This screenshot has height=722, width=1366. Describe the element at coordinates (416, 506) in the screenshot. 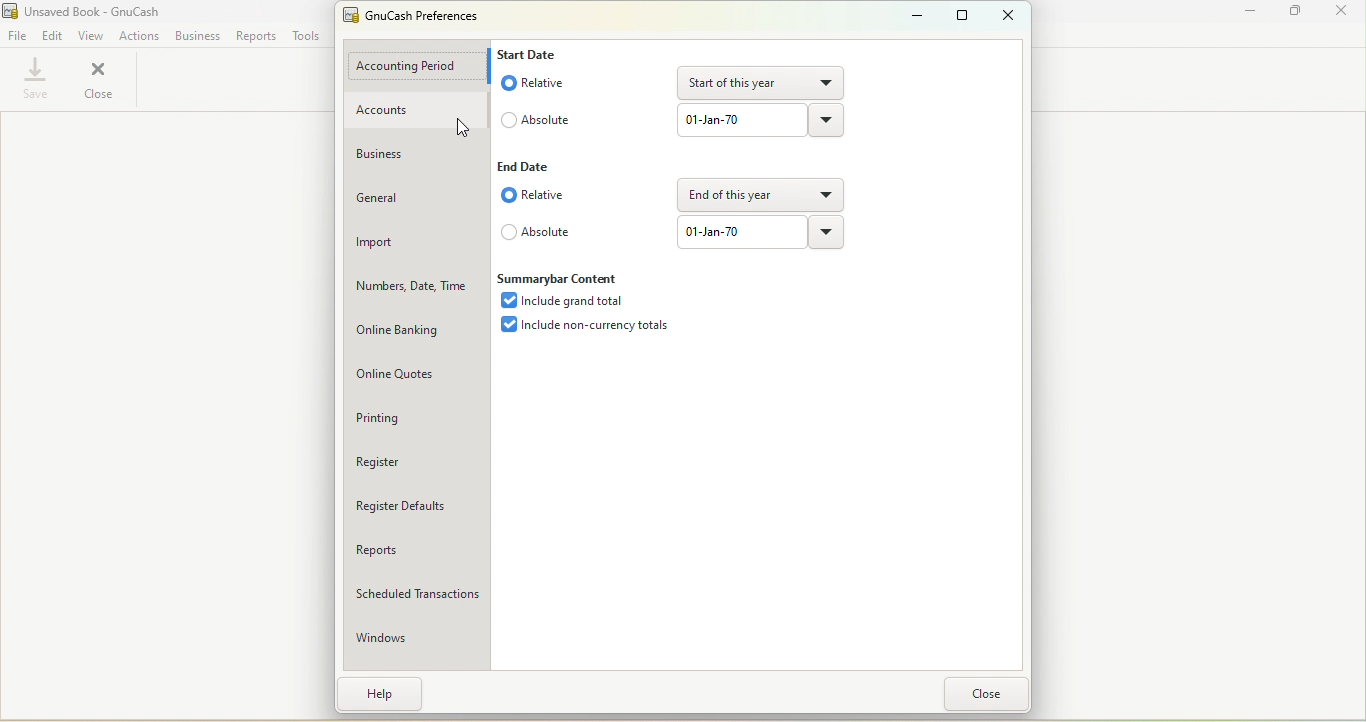

I see `Register defaults` at that location.